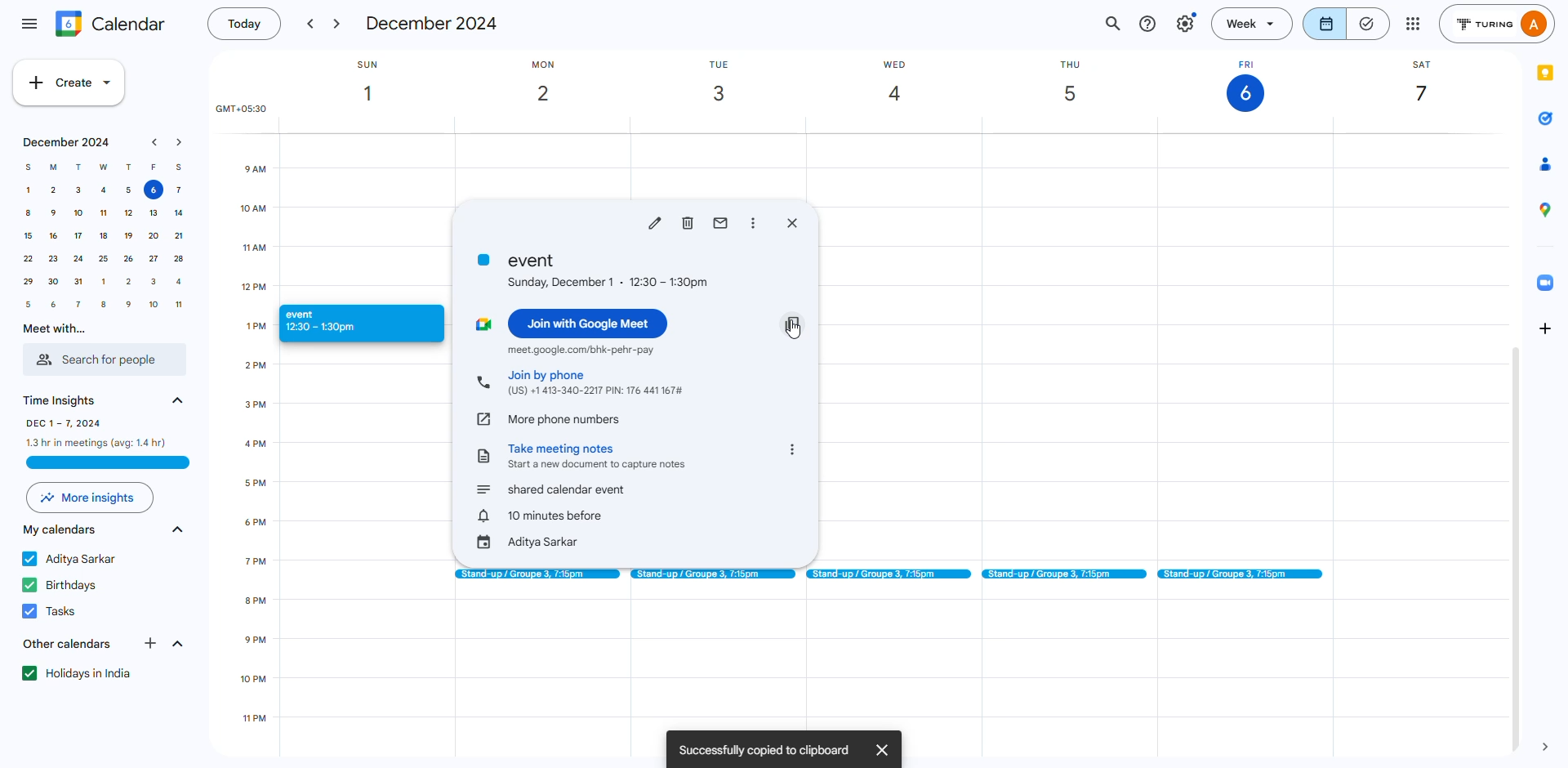 This screenshot has width=1568, height=768. What do you see at coordinates (127, 304) in the screenshot?
I see `9` at bounding box center [127, 304].